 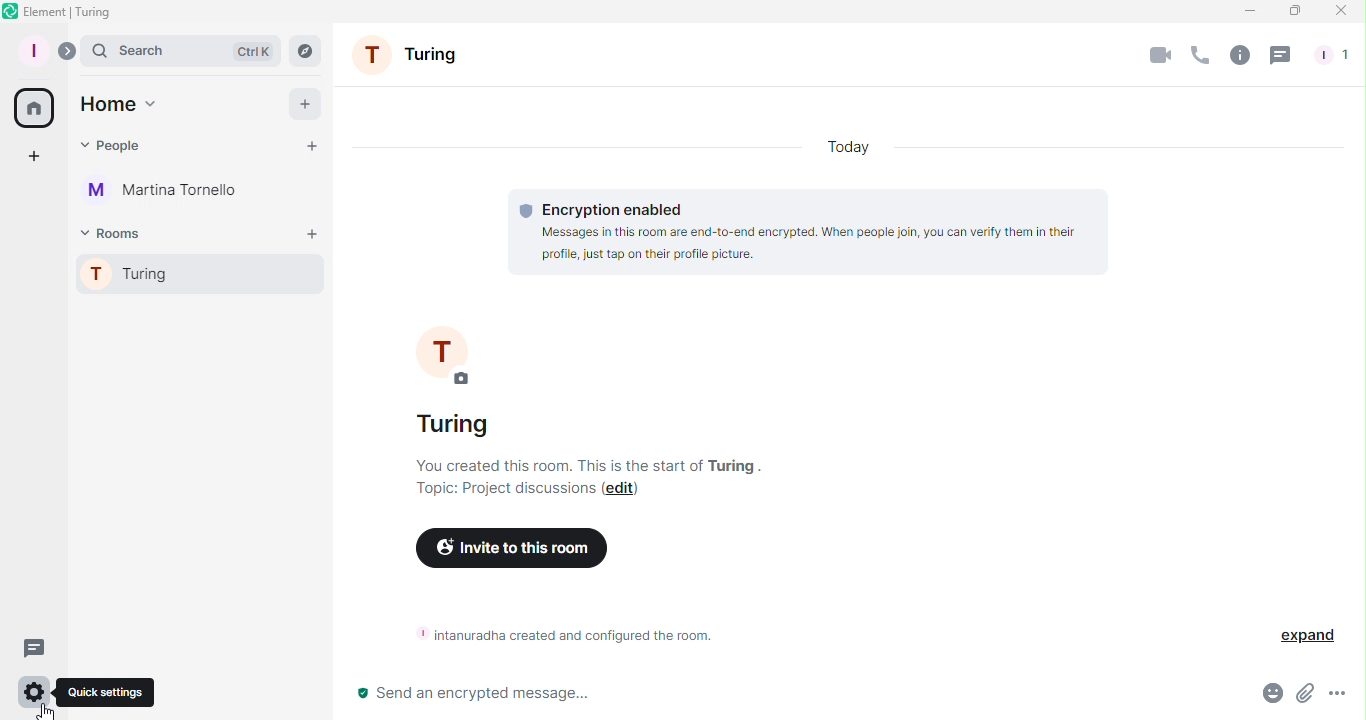 What do you see at coordinates (192, 271) in the screenshot?
I see `Turing` at bounding box center [192, 271].